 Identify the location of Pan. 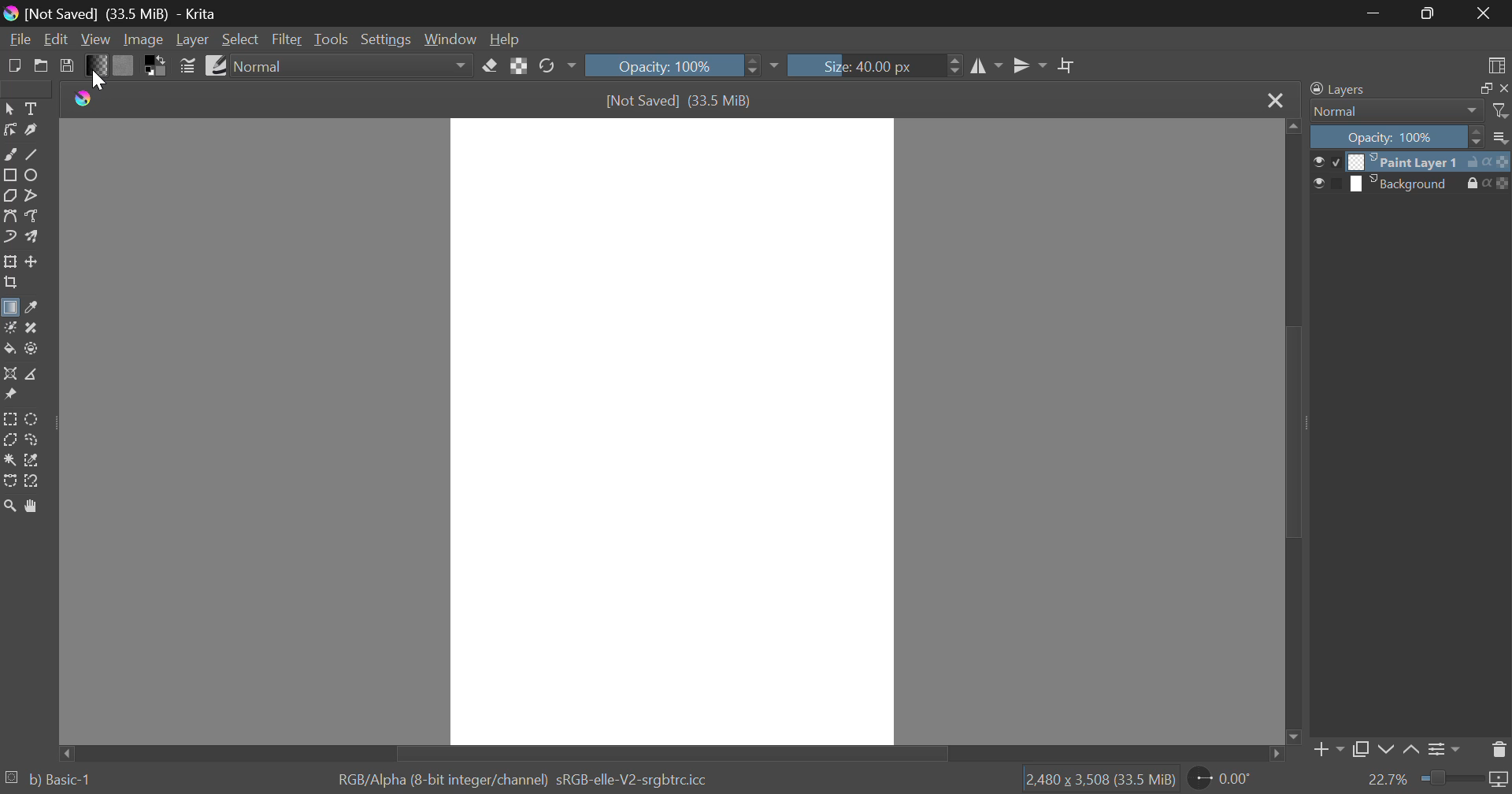
(30, 506).